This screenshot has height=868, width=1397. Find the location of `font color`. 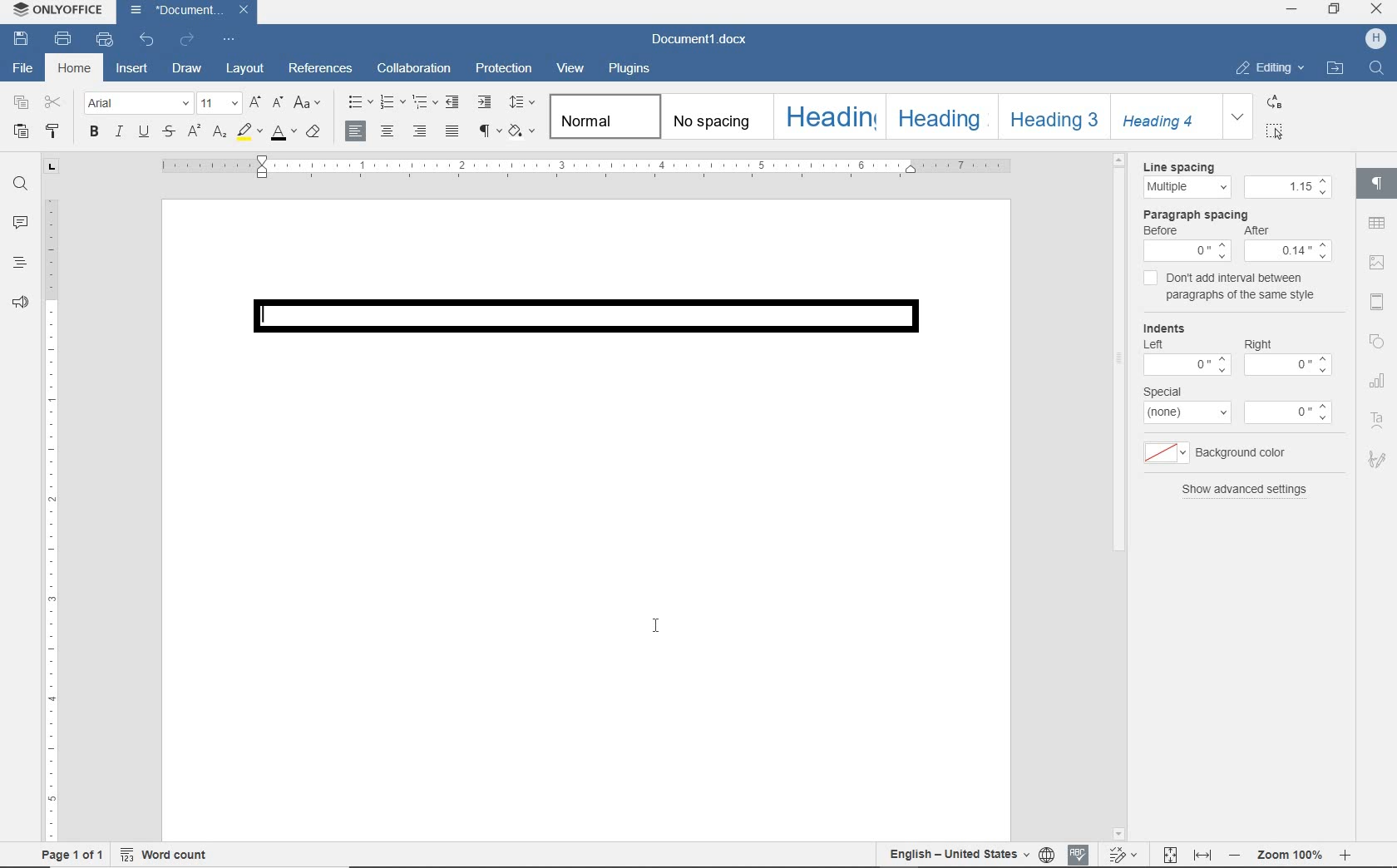

font color is located at coordinates (282, 133).